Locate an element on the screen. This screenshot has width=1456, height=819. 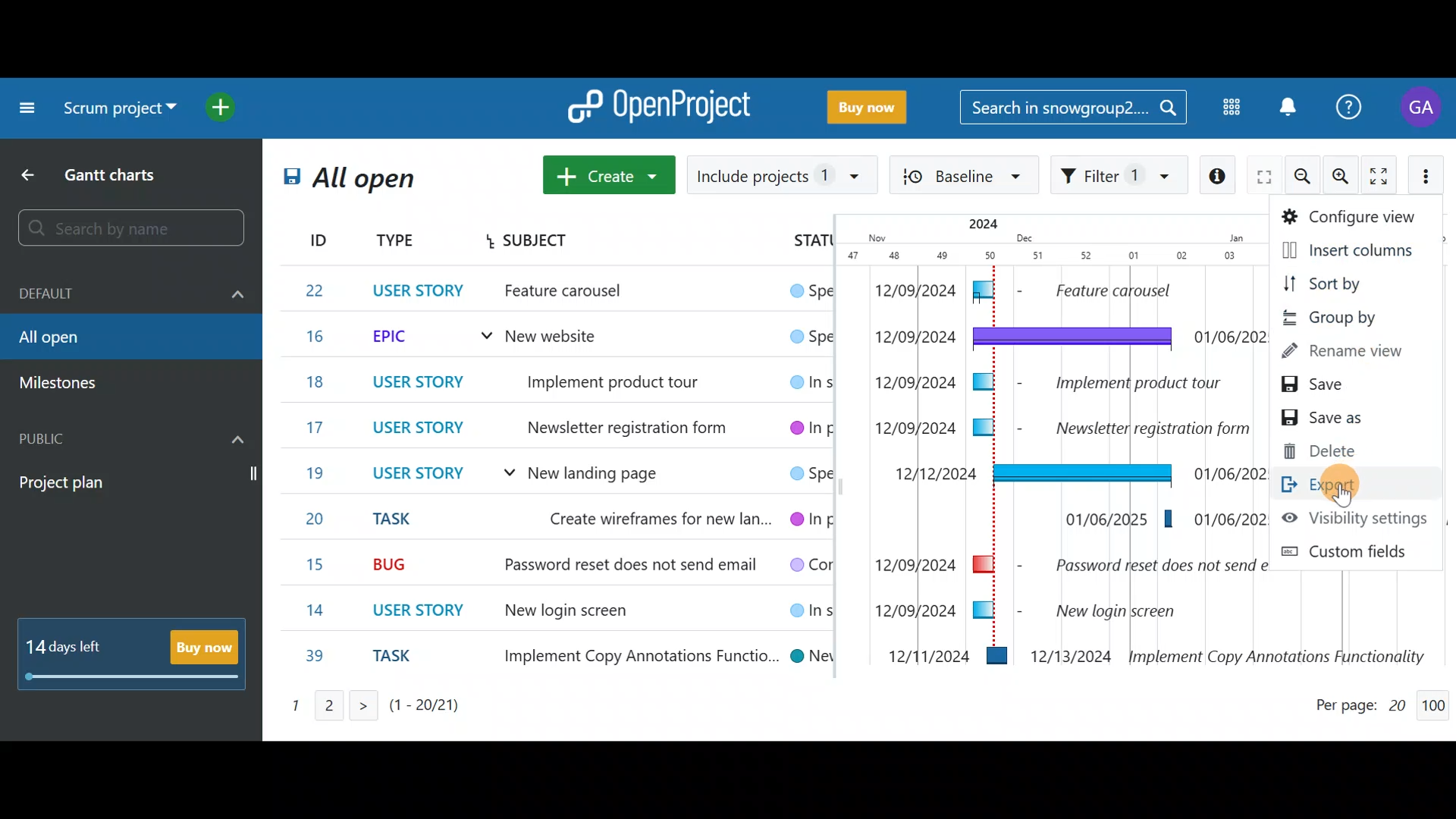
This view has unsaved changes, click to save them is located at coordinates (287, 186).